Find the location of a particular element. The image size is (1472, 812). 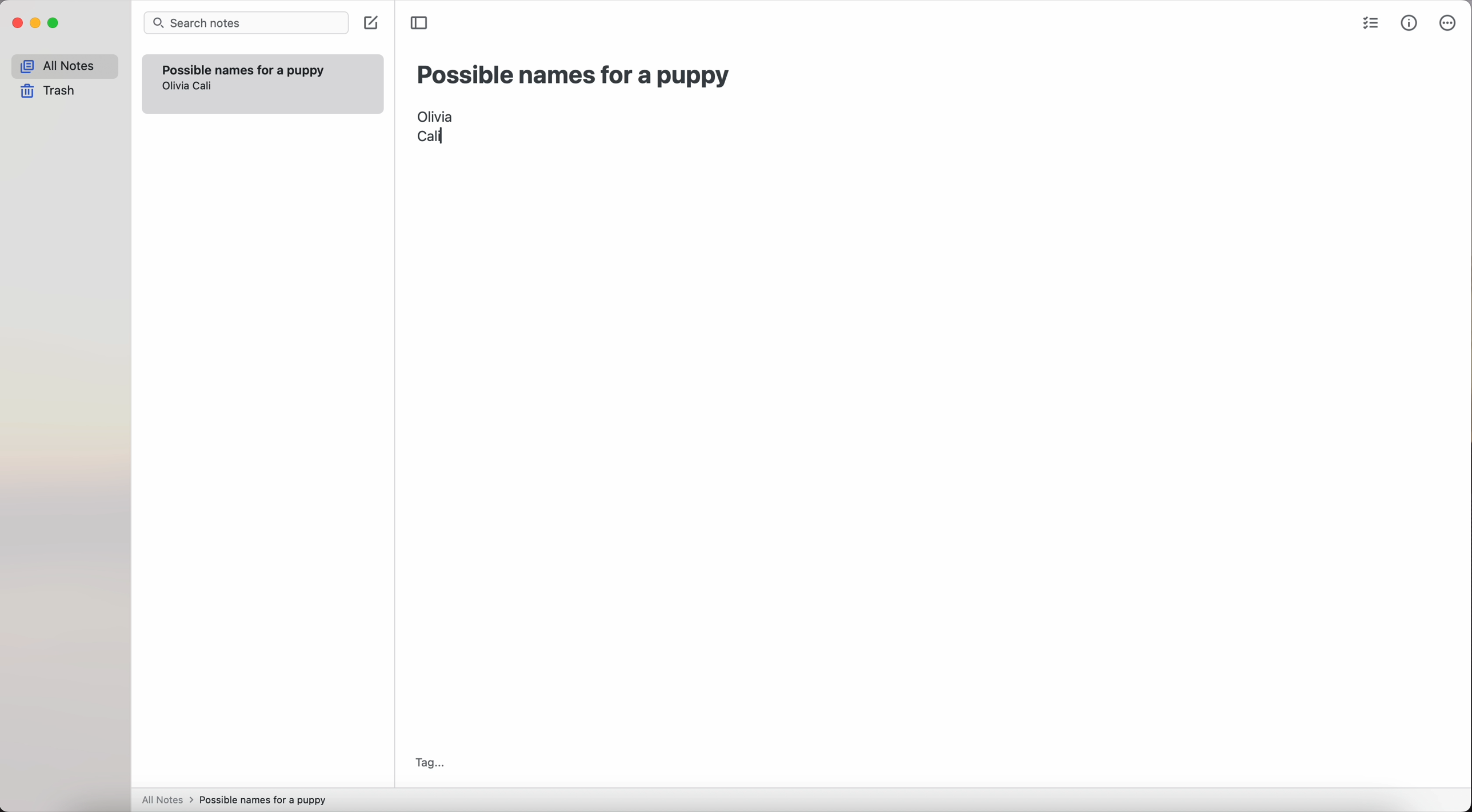

tag is located at coordinates (429, 762).